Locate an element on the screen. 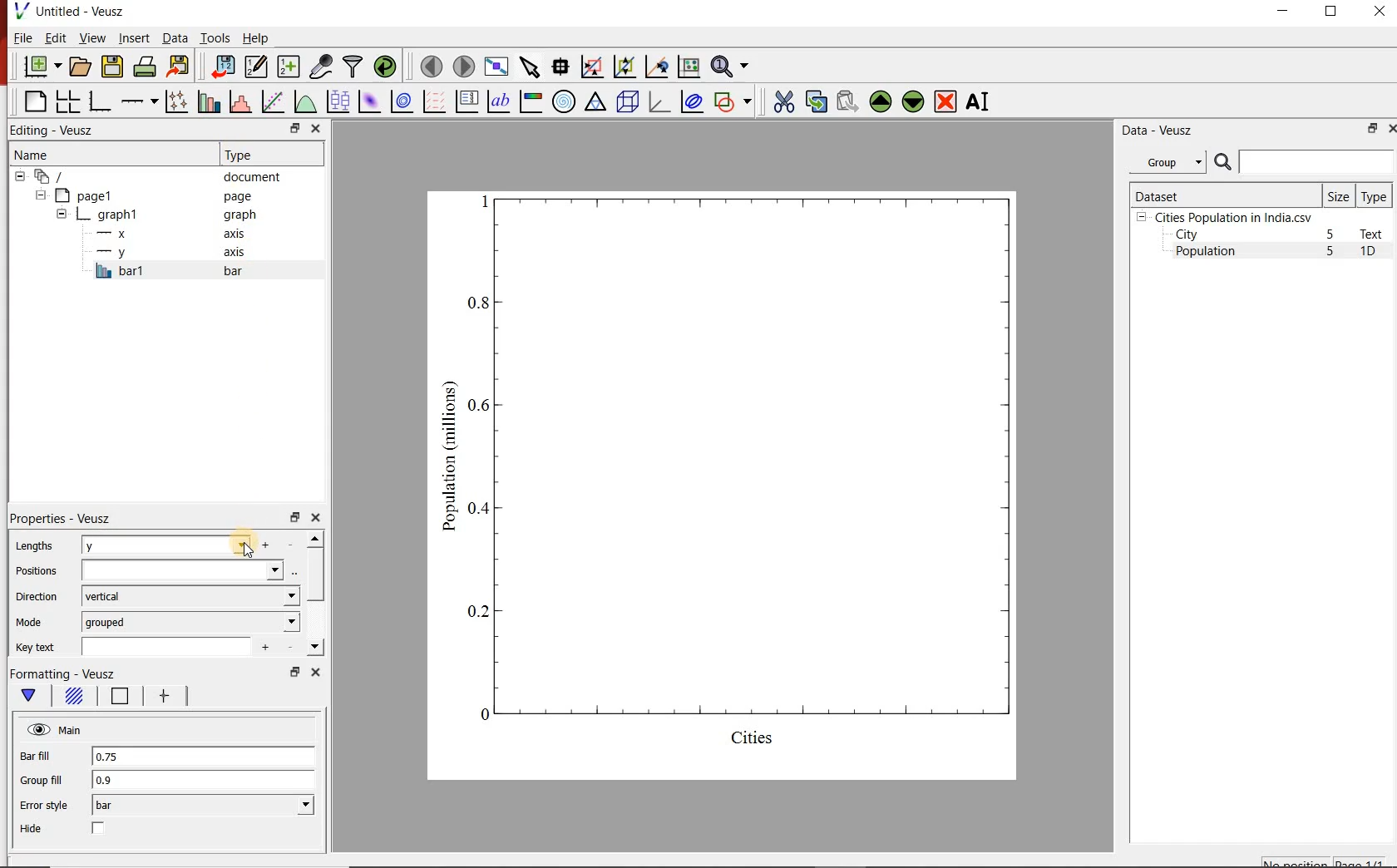 The height and width of the screenshot is (868, 1397). copy the selected widget is located at coordinates (815, 100).